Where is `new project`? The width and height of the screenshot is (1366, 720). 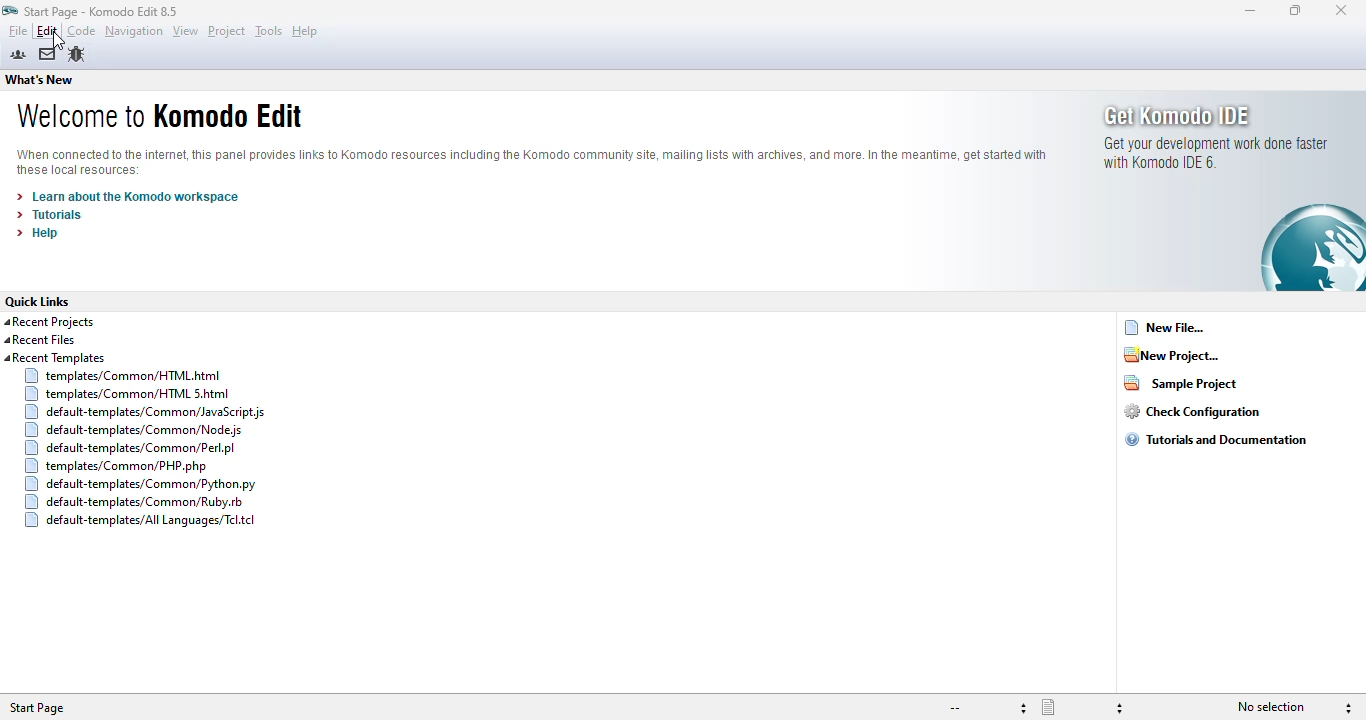
new project is located at coordinates (1172, 354).